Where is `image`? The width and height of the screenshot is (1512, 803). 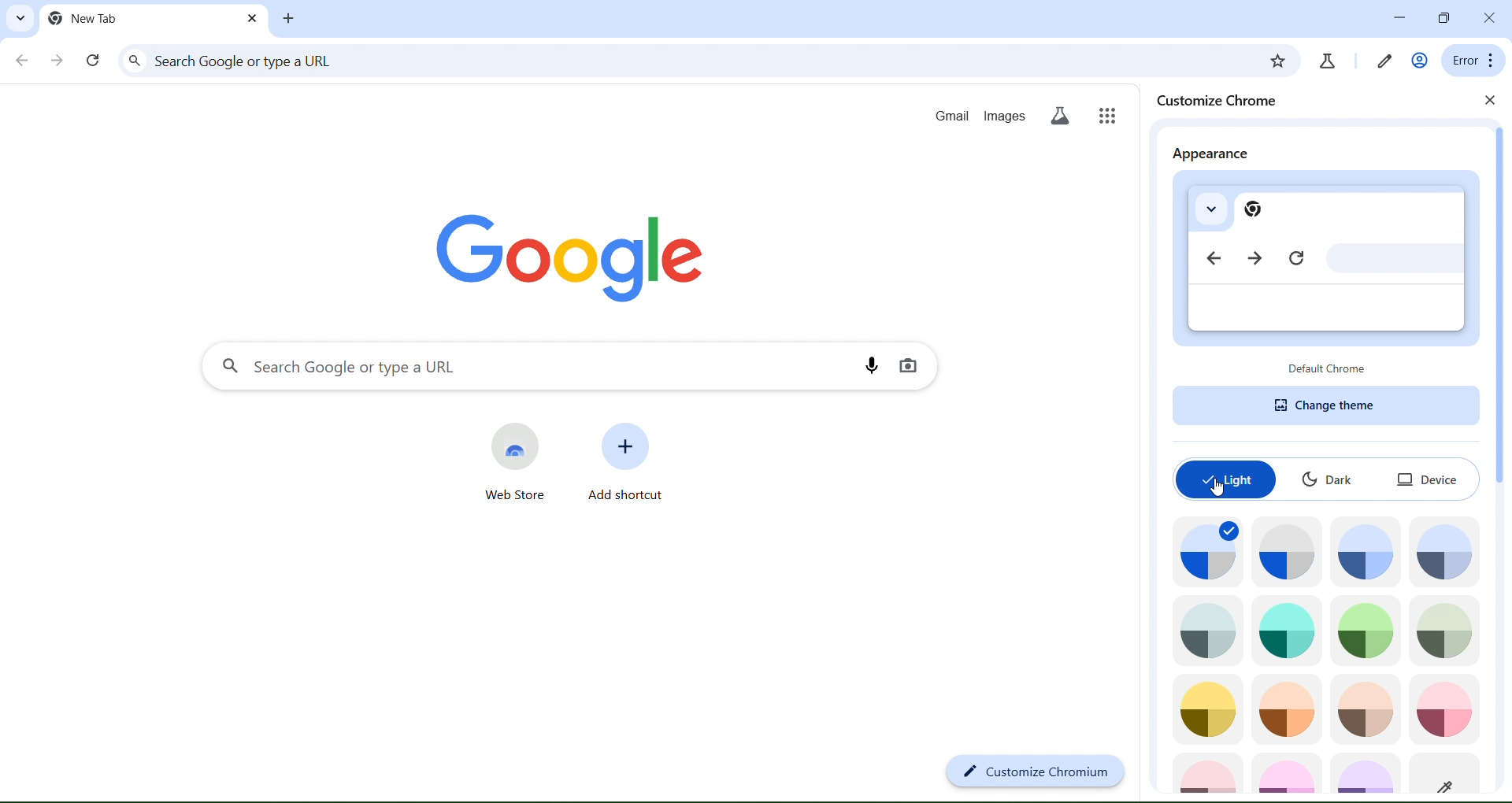
image is located at coordinates (1288, 772).